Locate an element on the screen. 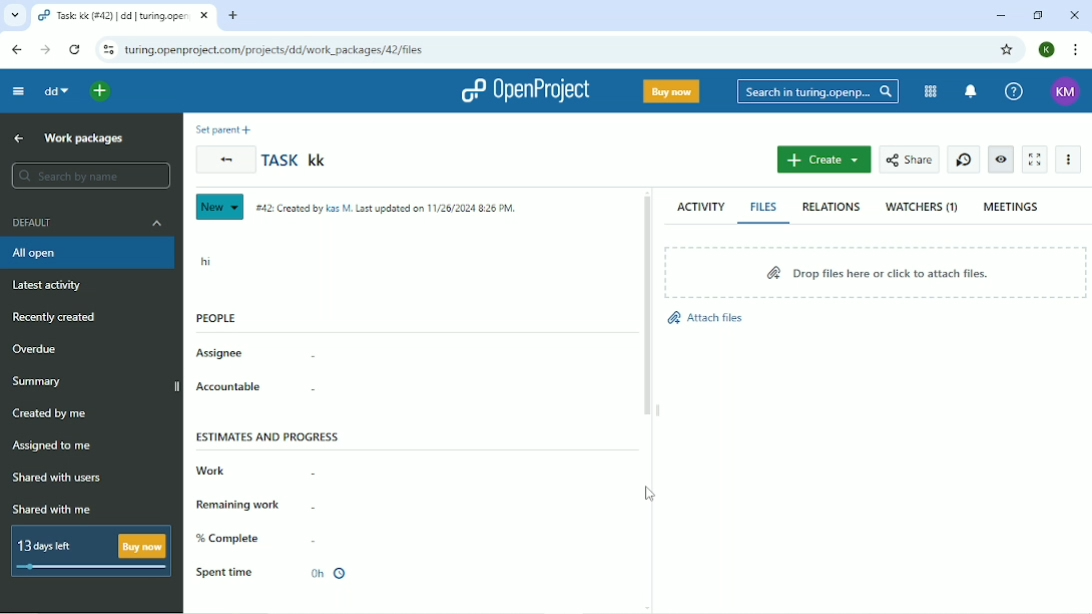 The height and width of the screenshot is (614, 1092). task: kk(#42)|dd|turing.openproject.com is located at coordinates (124, 16).